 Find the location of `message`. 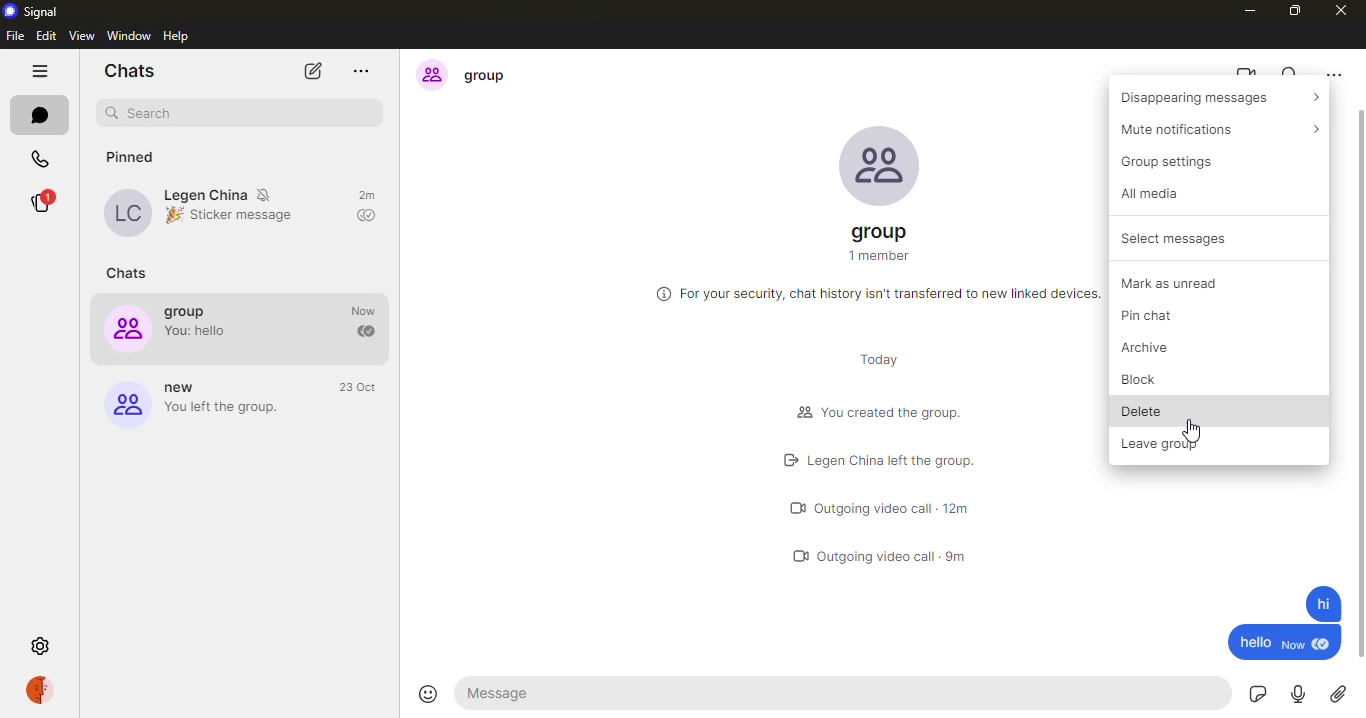

message is located at coordinates (512, 694).